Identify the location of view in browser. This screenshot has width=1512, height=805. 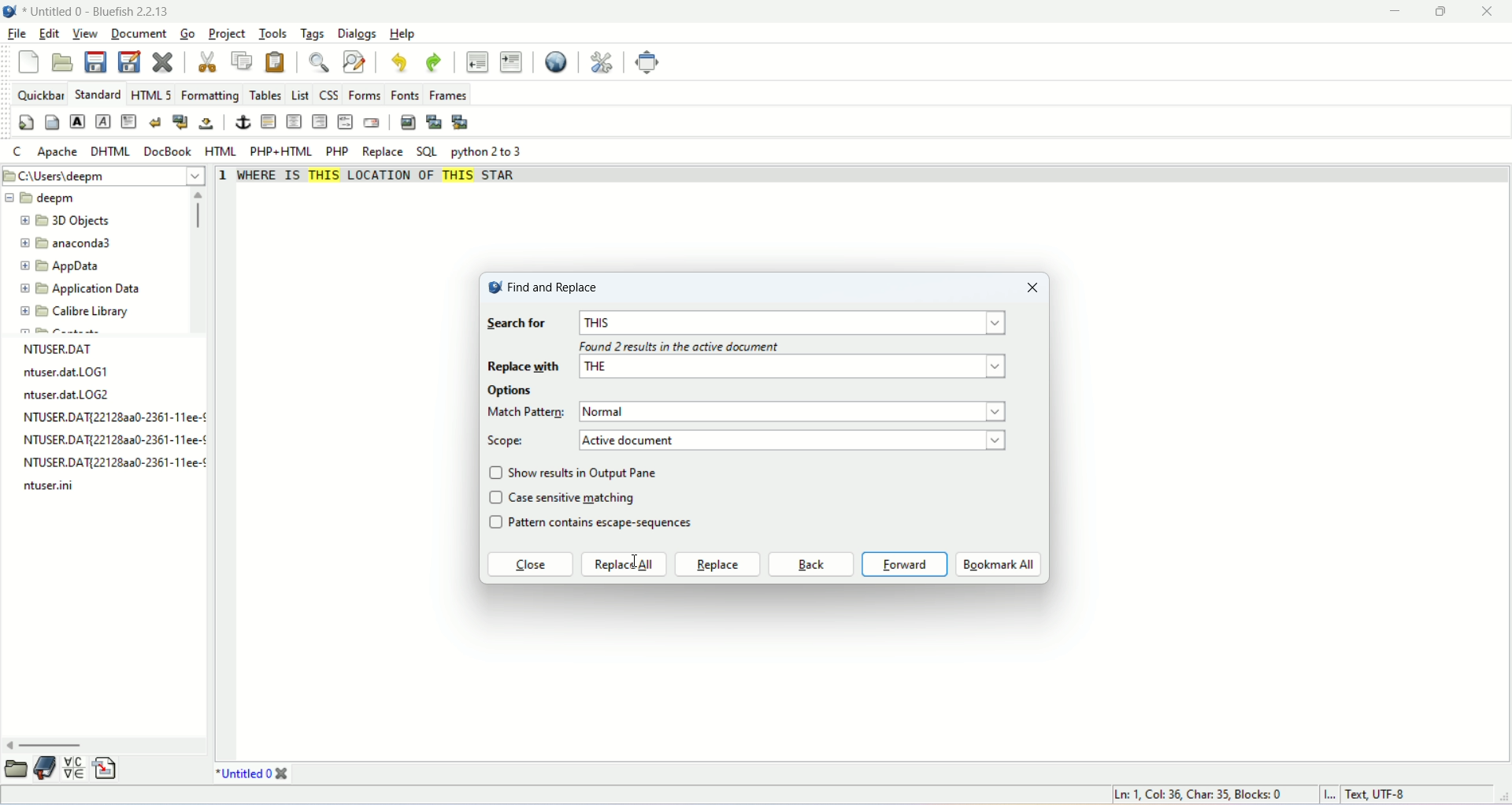
(555, 63).